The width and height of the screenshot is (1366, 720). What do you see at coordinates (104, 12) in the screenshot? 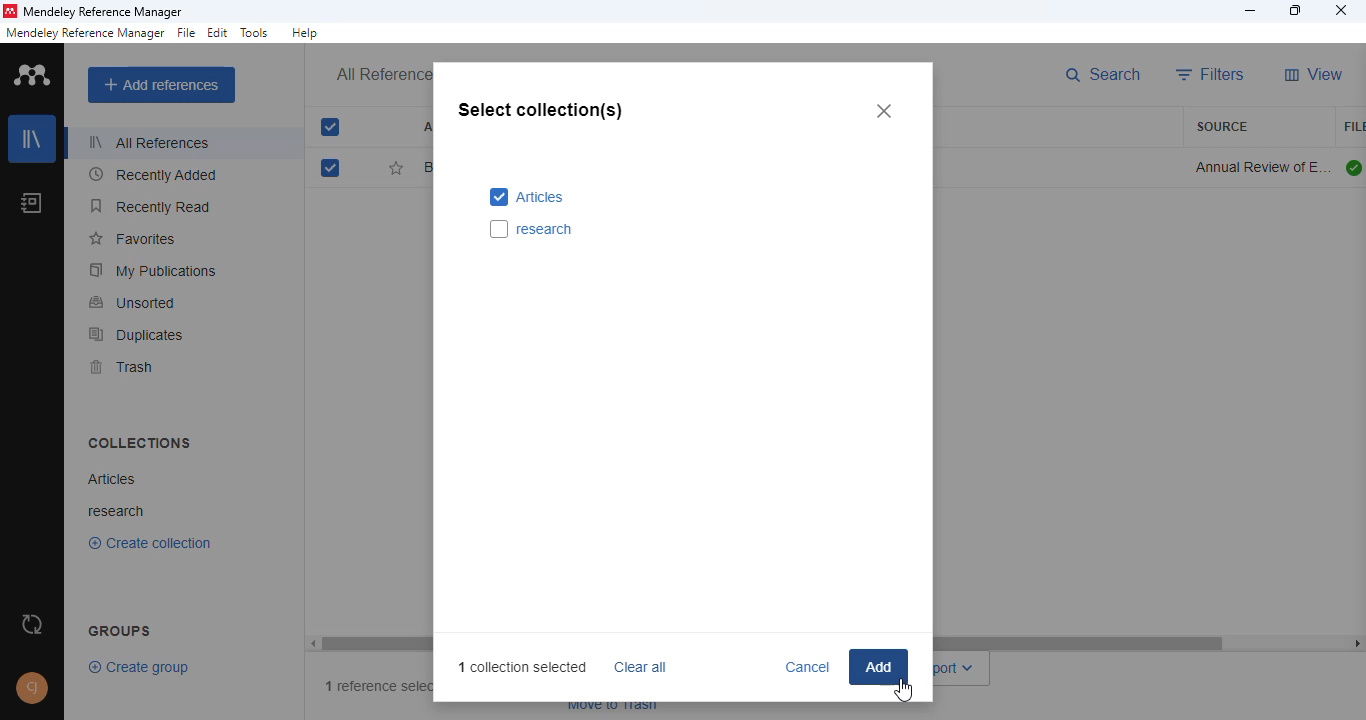
I see `mendeley reference manager` at bounding box center [104, 12].